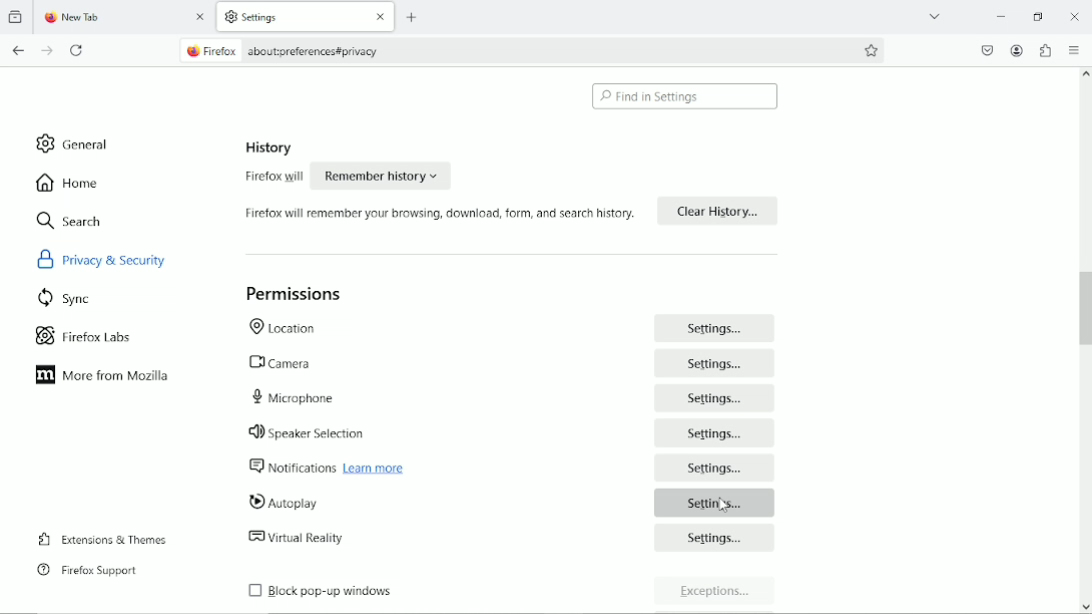 Image resolution: width=1092 pixels, height=614 pixels. I want to click on account, so click(1017, 51).